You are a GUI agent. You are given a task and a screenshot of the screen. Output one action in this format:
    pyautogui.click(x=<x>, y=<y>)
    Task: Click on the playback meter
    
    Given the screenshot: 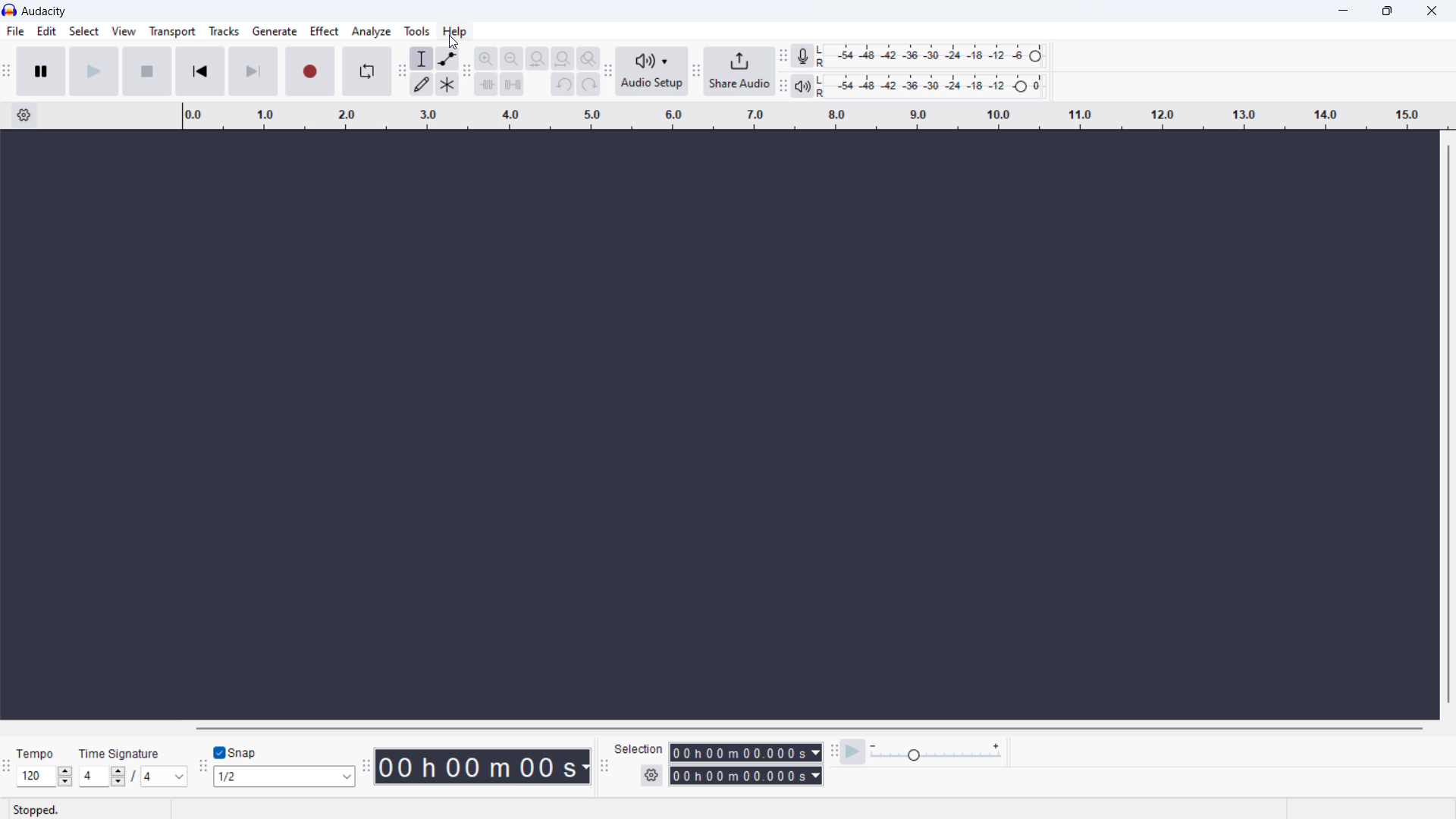 What is the action you would take?
    pyautogui.click(x=803, y=87)
    